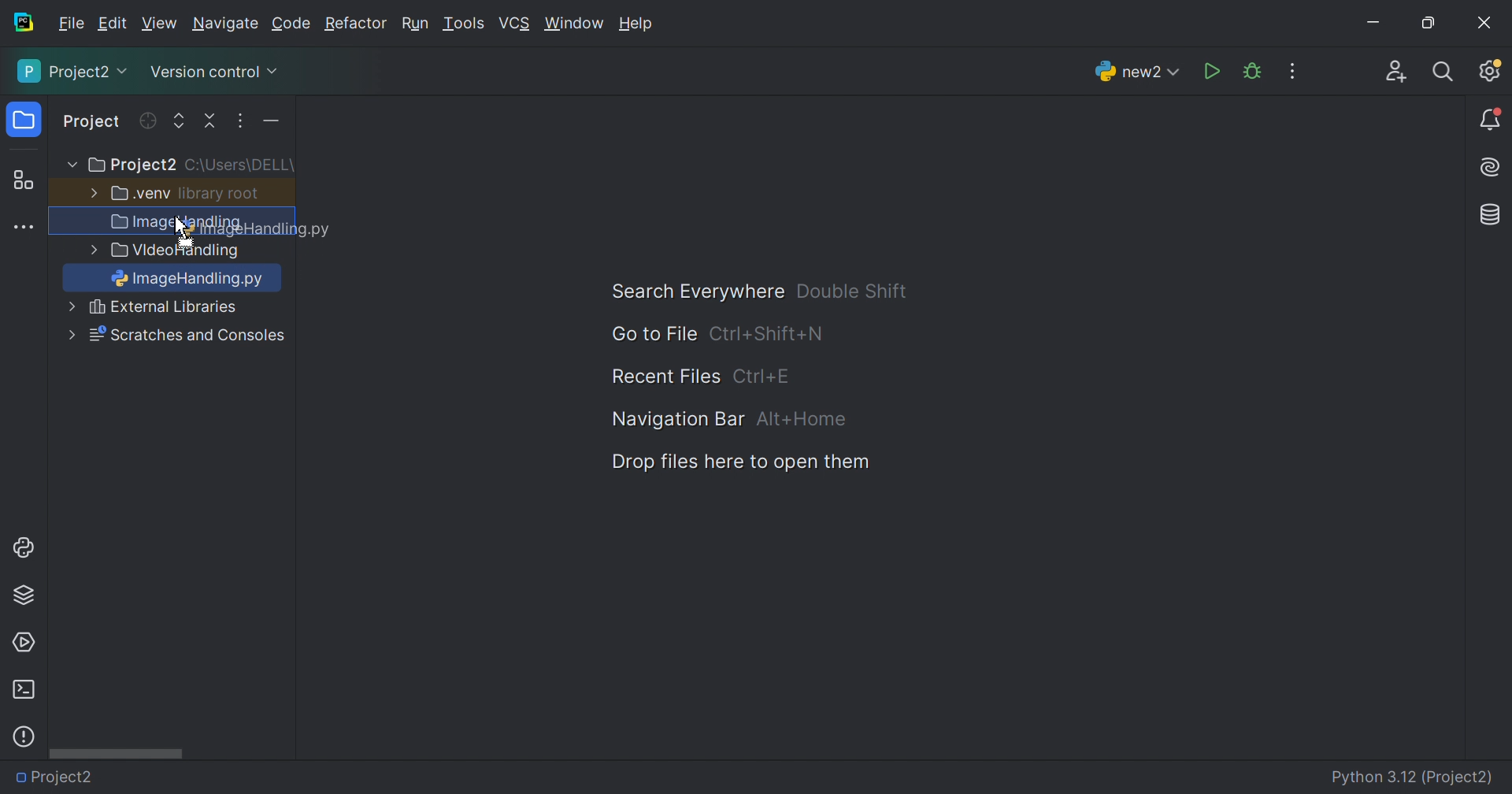 The width and height of the screenshot is (1512, 794). What do you see at coordinates (23, 690) in the screenshot?
I see `Terminal` at bounding box center [23, 690].